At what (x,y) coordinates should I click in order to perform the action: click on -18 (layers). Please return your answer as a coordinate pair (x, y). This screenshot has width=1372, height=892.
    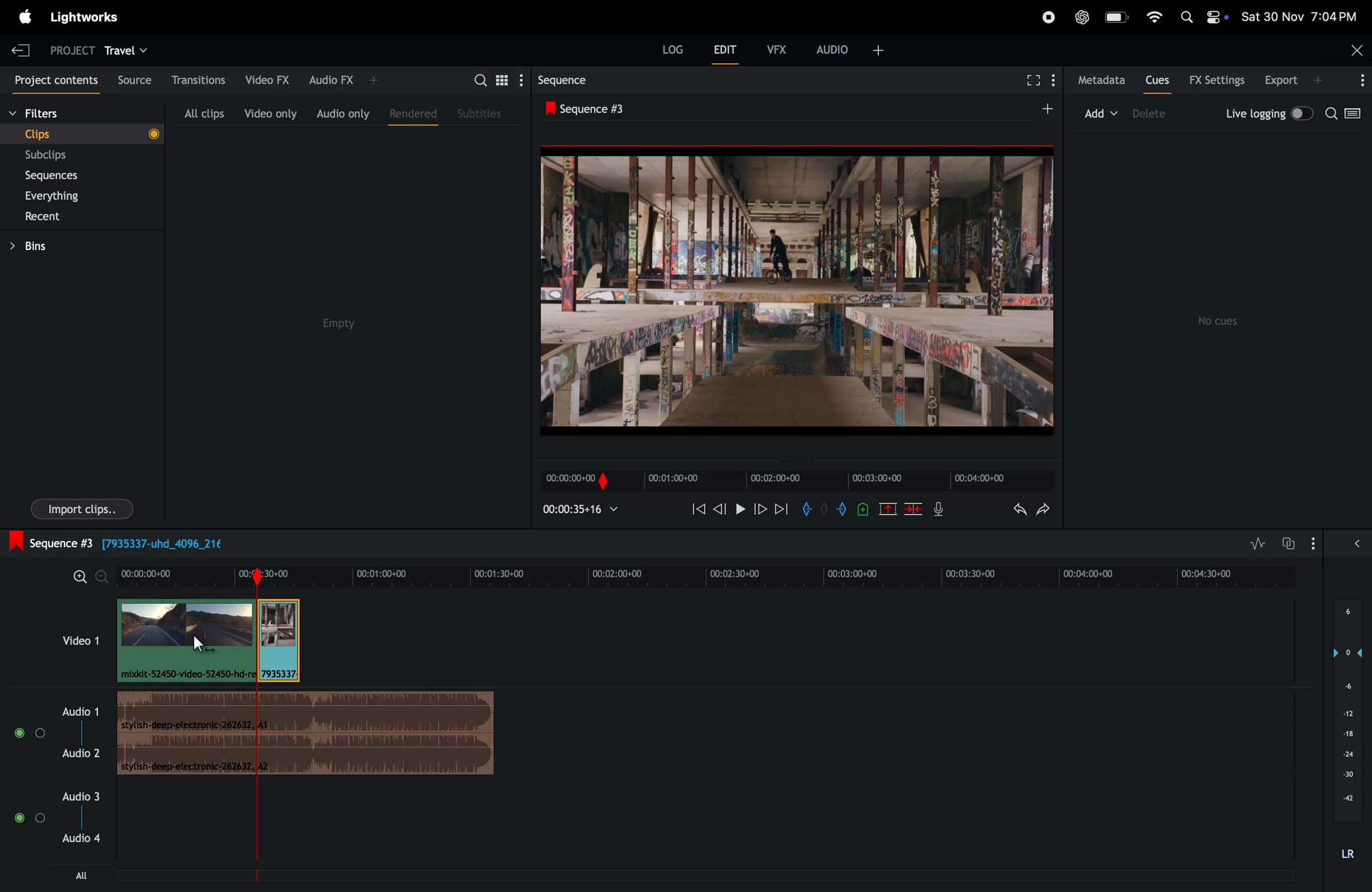
    Looking at the image, I should click on (1345, 735).